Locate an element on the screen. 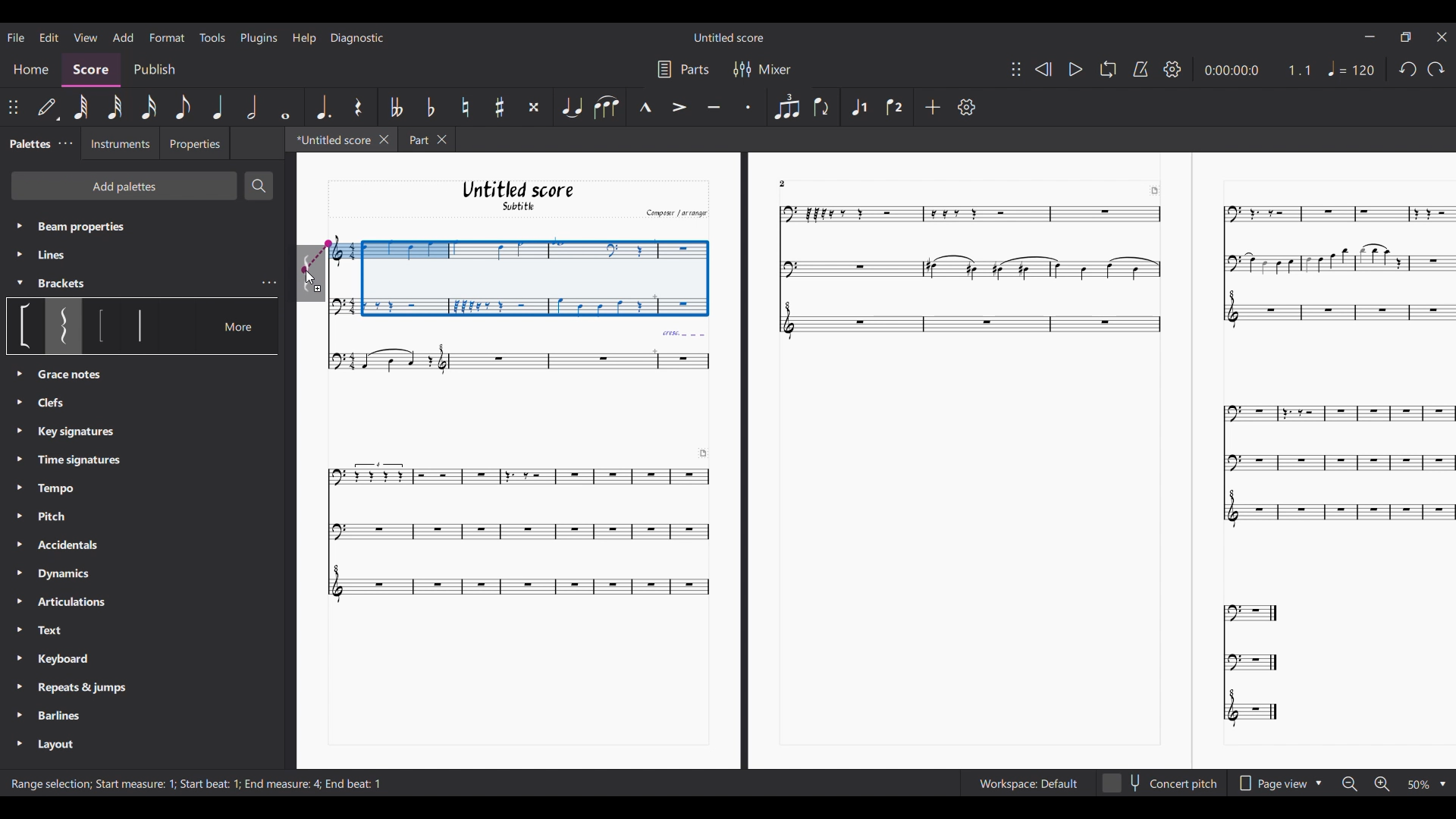 Image resolution: width=1456 pixels, height=819 pixels. Score  is located at coordinates (92, 71).